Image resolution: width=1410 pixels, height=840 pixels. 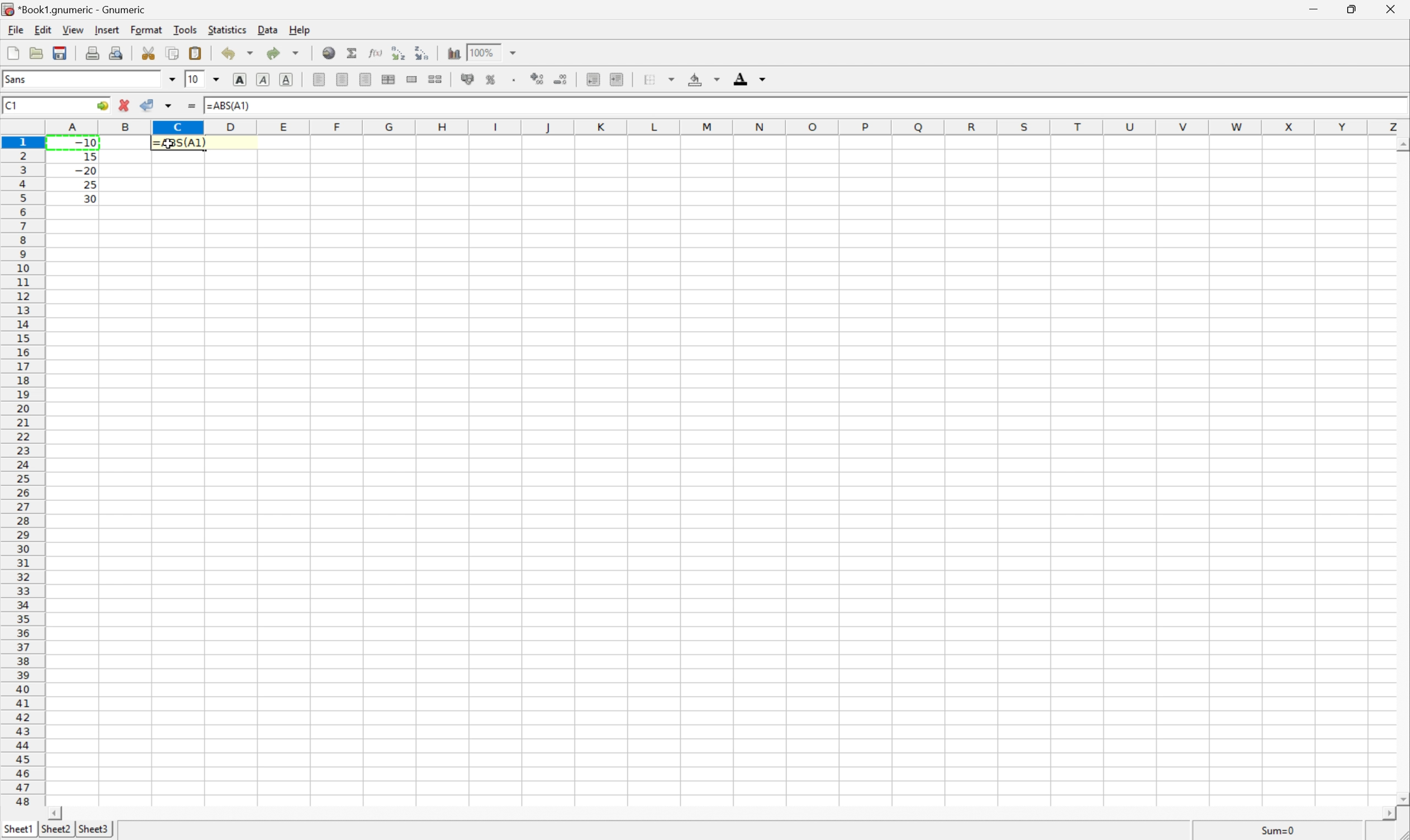 I want to click on Drop Down, so click(x=516, y=52).